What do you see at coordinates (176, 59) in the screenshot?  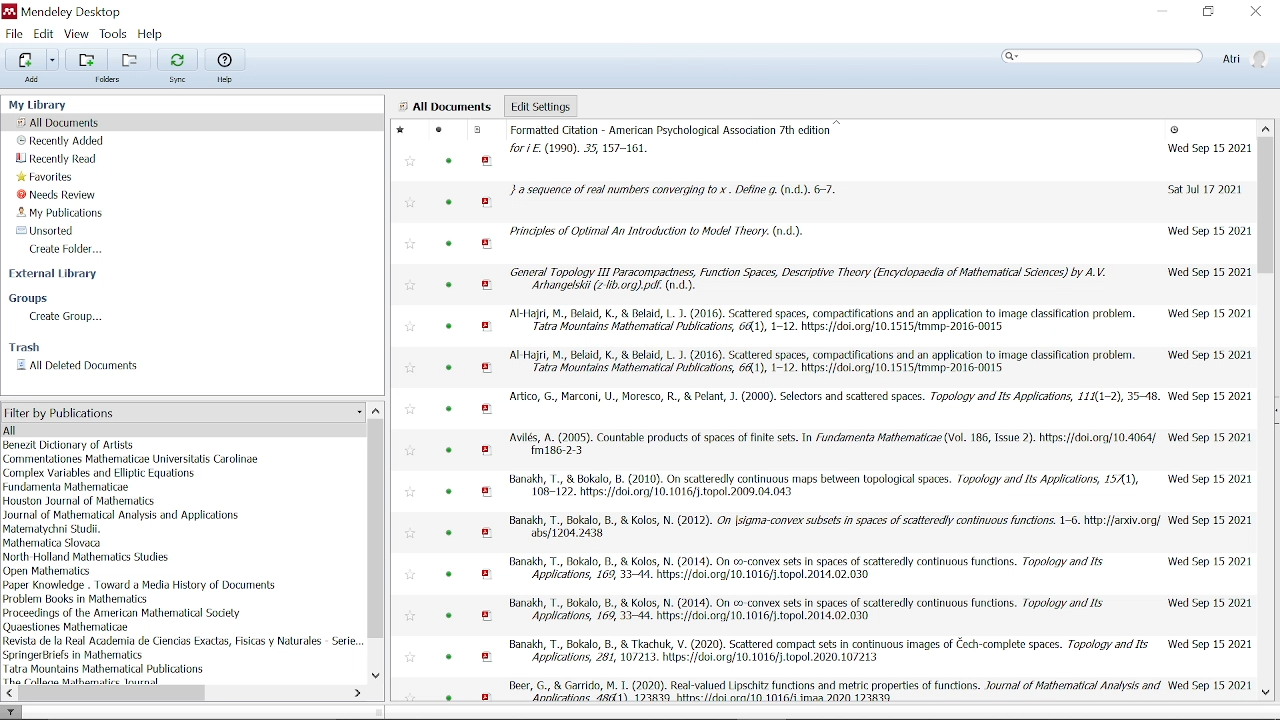 I see `Sync` at bounding box center [176, 59].